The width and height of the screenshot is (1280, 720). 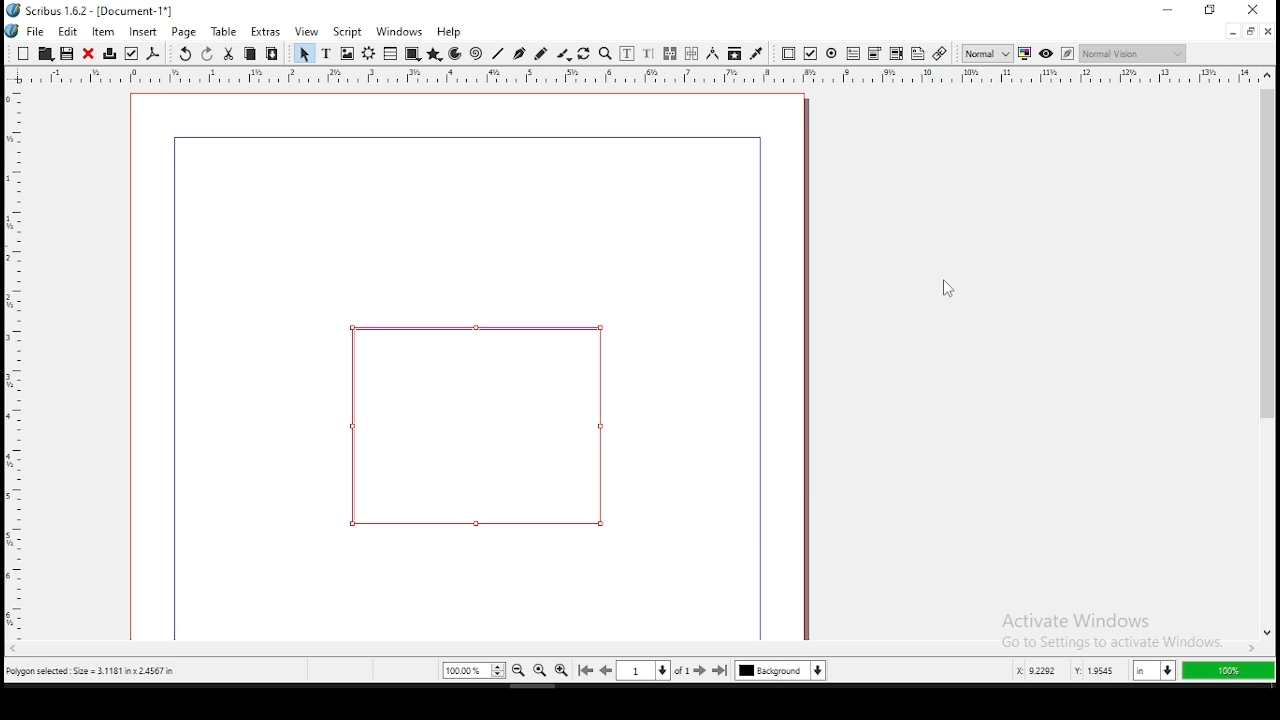 What do you see at coordinates (14, 354) in the screenshot?
I see `horizontal ruler` at bounding box center [14, 354].